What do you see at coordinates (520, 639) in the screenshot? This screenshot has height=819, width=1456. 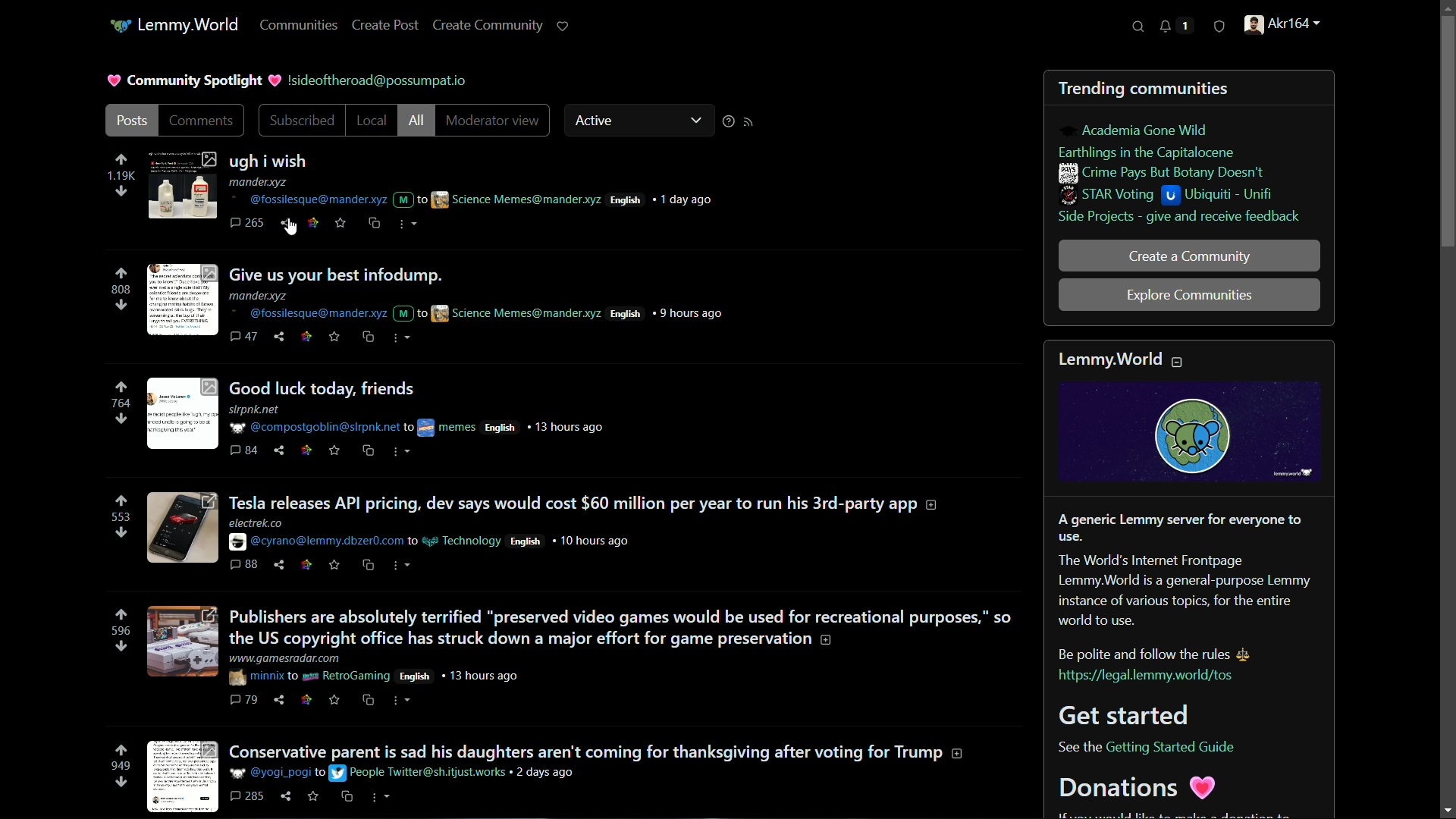 I see `the US copyright office has struck down a major effort for game preservation` at bounding box center [520, 639].